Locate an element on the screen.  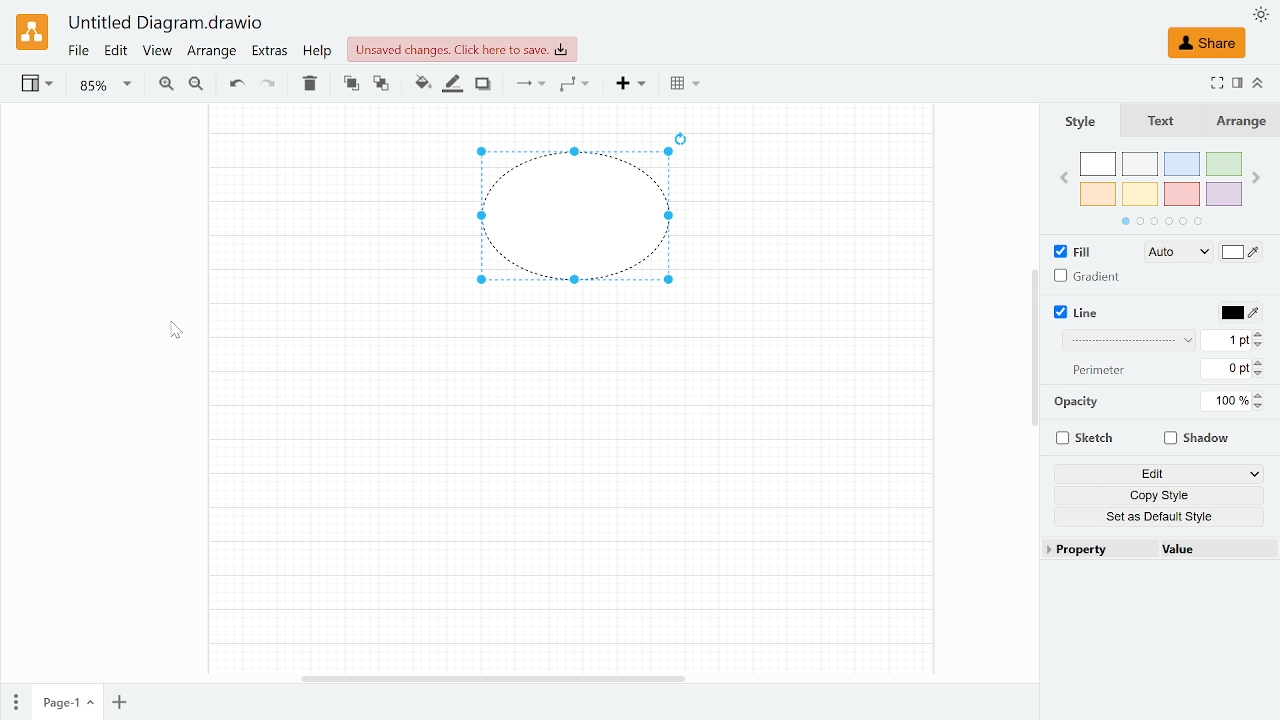
Draw.io logo is located at coordinates (33, 31).